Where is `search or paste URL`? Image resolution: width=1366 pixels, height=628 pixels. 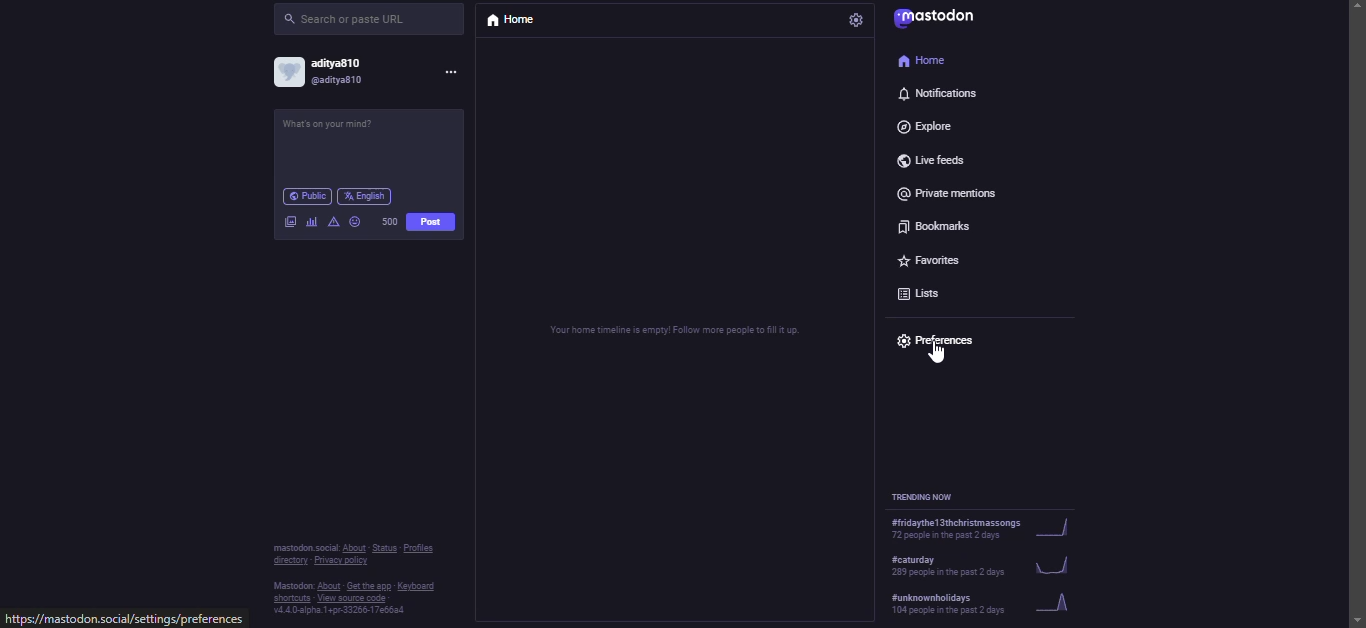
search or paste URL is located at coordinates (372, 21).